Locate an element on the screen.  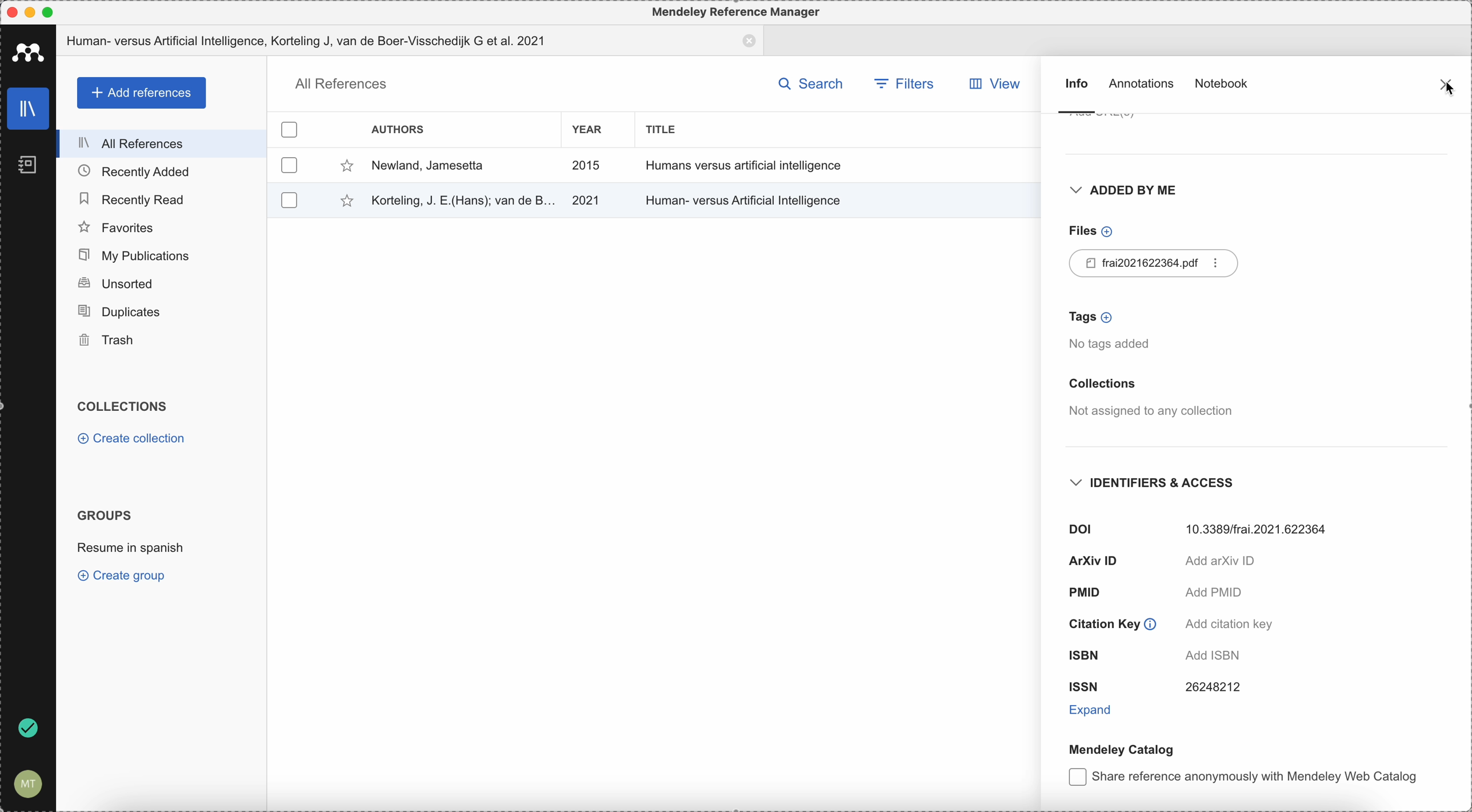
collections is located at coordinates (127, 407).